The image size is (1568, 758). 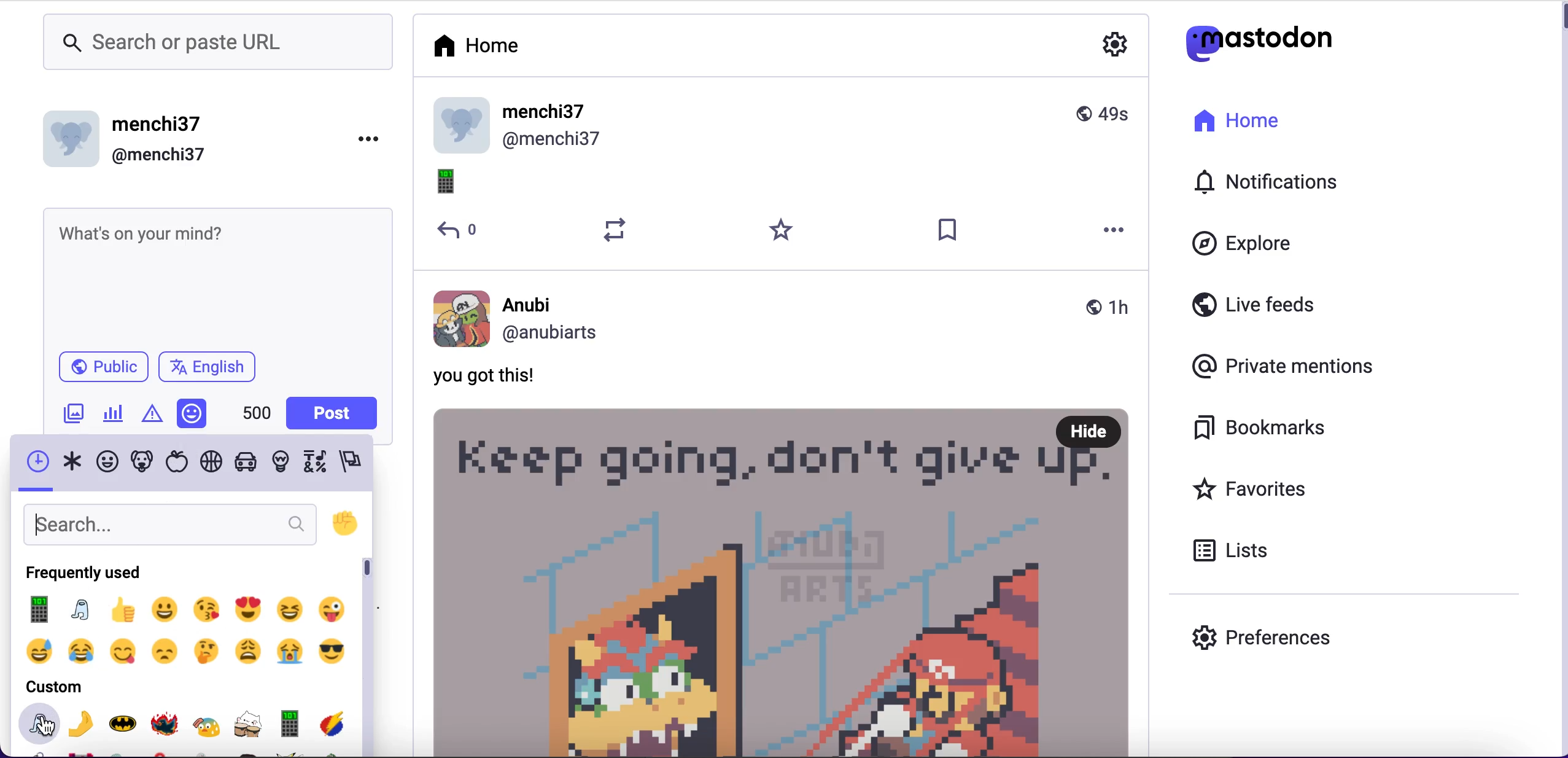 I want to click on search, so click(x=169, y=523).